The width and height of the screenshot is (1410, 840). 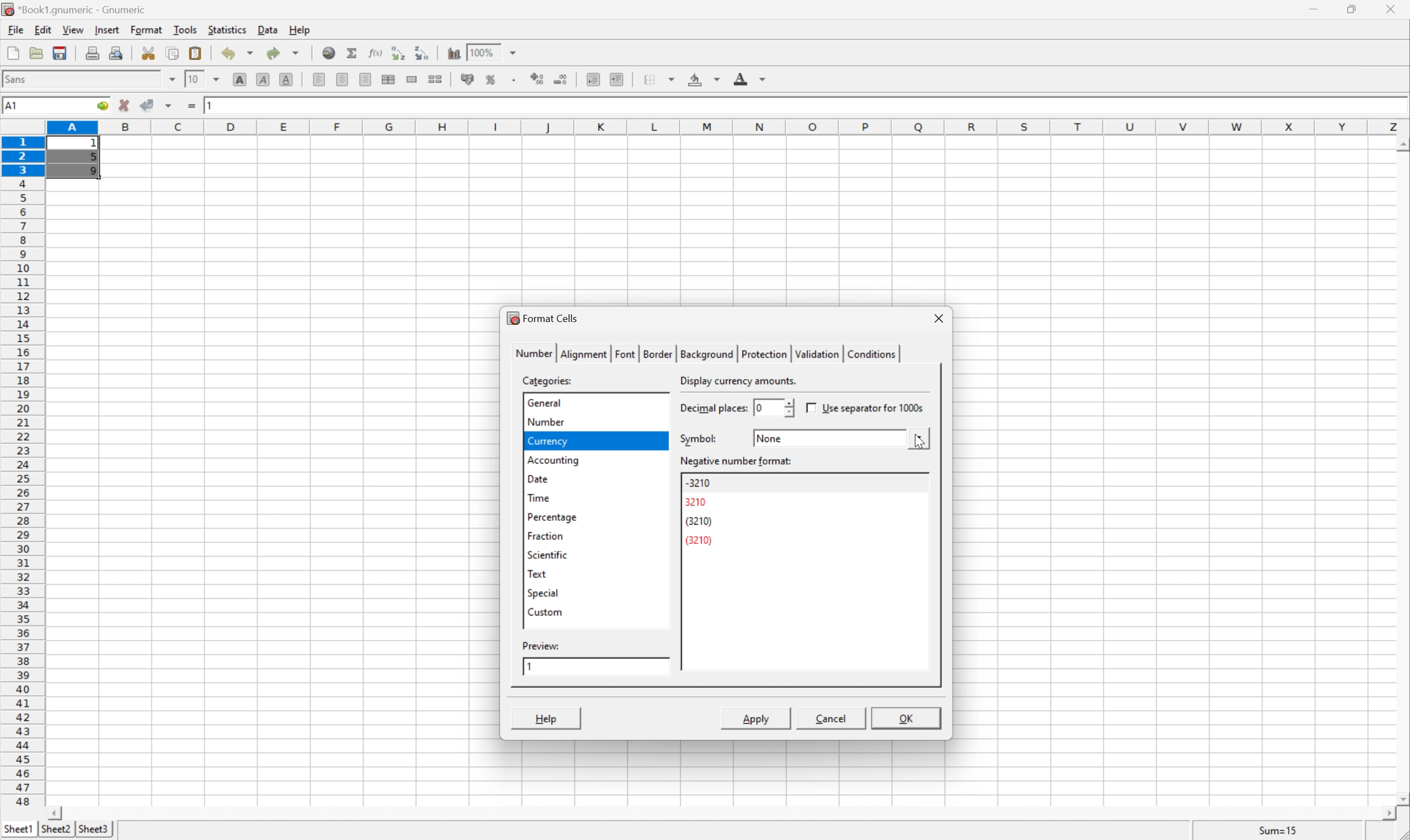 I want to click on italic, so click(x=264, y=78).